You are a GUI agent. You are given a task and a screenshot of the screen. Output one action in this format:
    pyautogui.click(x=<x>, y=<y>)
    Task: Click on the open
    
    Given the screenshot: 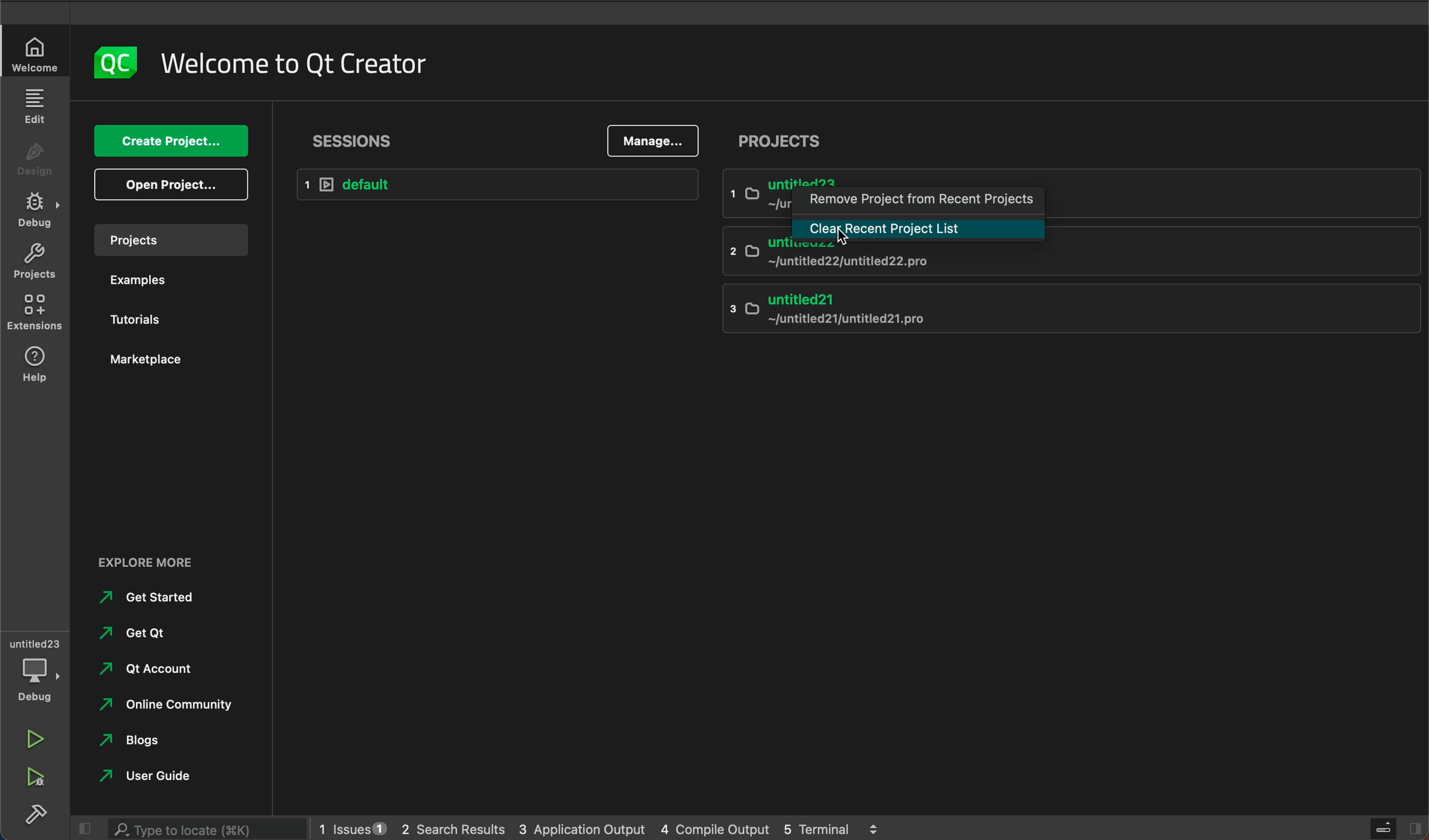 What is the action you would take?
    pyautogui.click(x=169, y=186)
    